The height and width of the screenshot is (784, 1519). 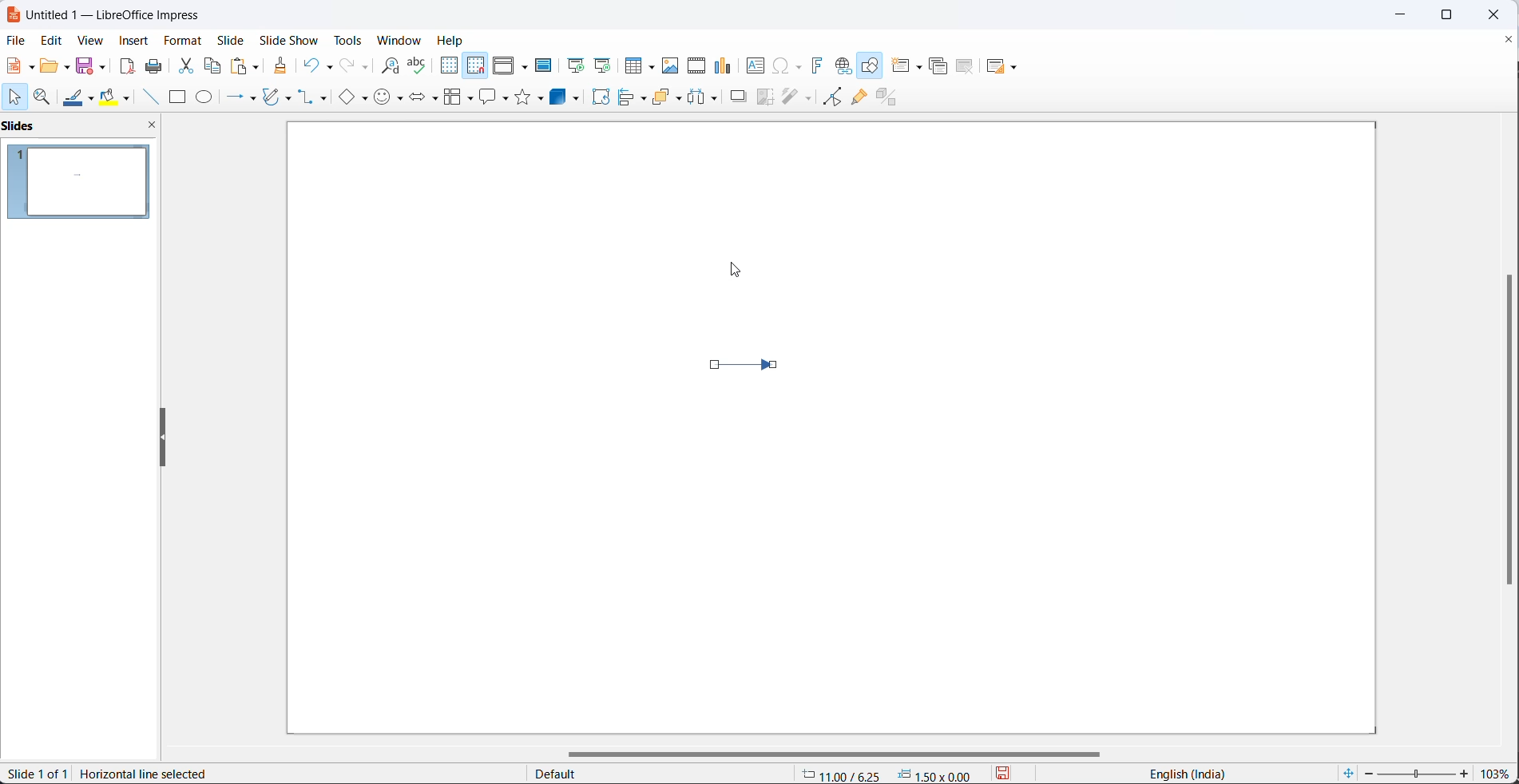 I want to click on toggle extrusion, so click(x=891, y=97).